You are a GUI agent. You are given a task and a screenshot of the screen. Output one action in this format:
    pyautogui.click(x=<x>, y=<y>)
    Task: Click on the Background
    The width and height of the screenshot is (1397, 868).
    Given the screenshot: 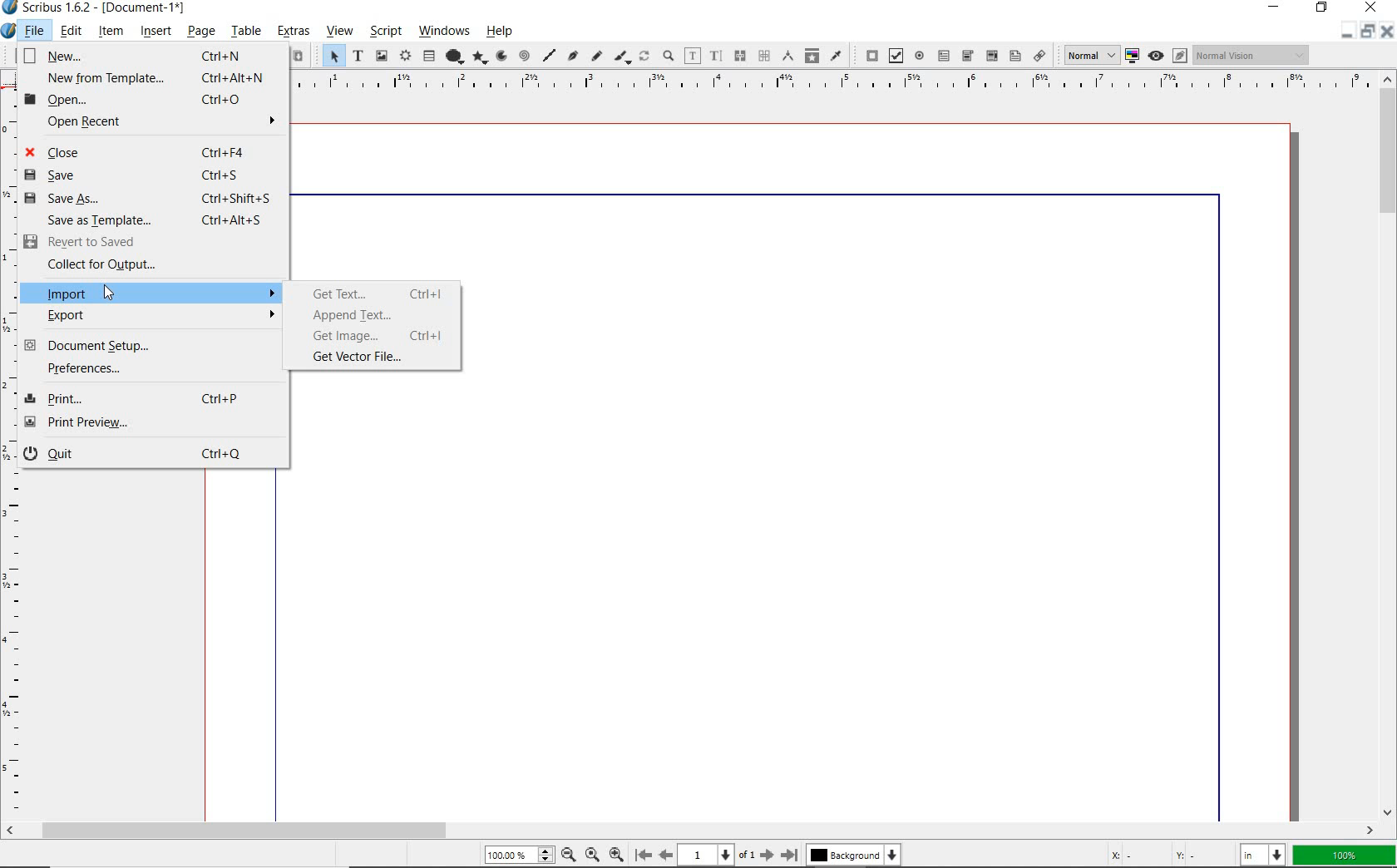 What is the action you would take?
    pyautogui.click(x=853, y=856)
    